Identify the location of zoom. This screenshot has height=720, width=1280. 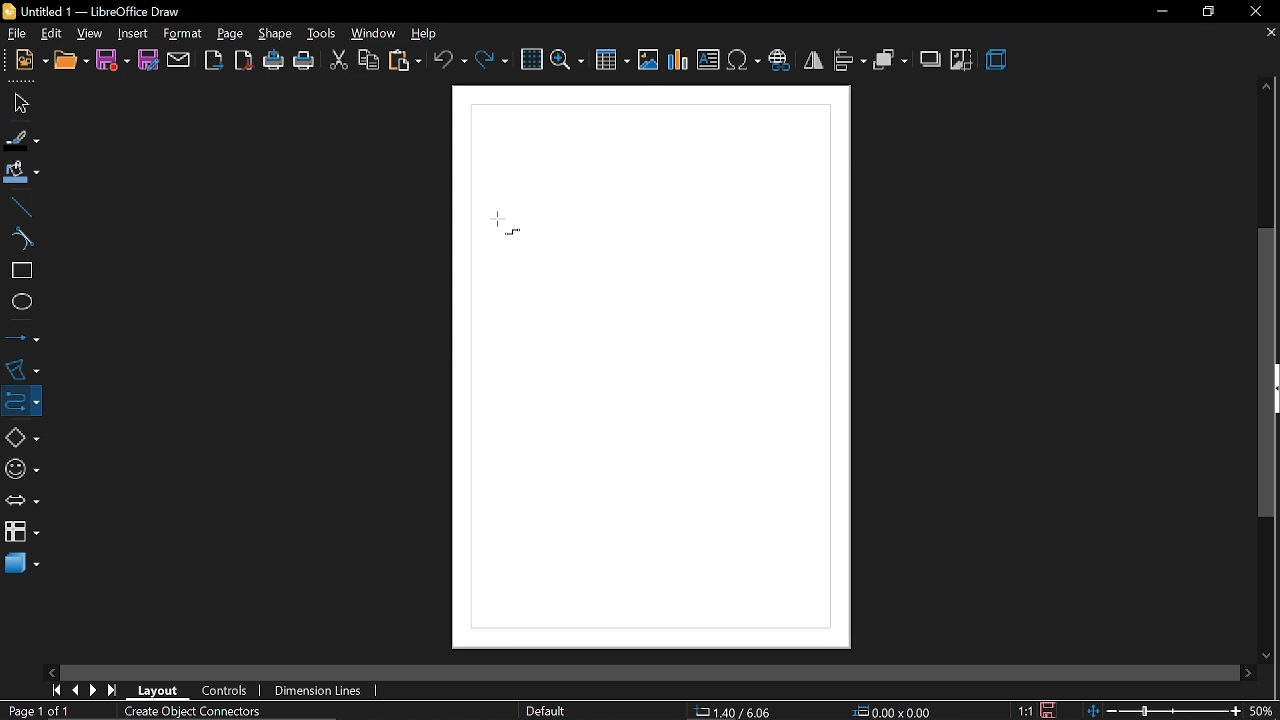
(567, 60).